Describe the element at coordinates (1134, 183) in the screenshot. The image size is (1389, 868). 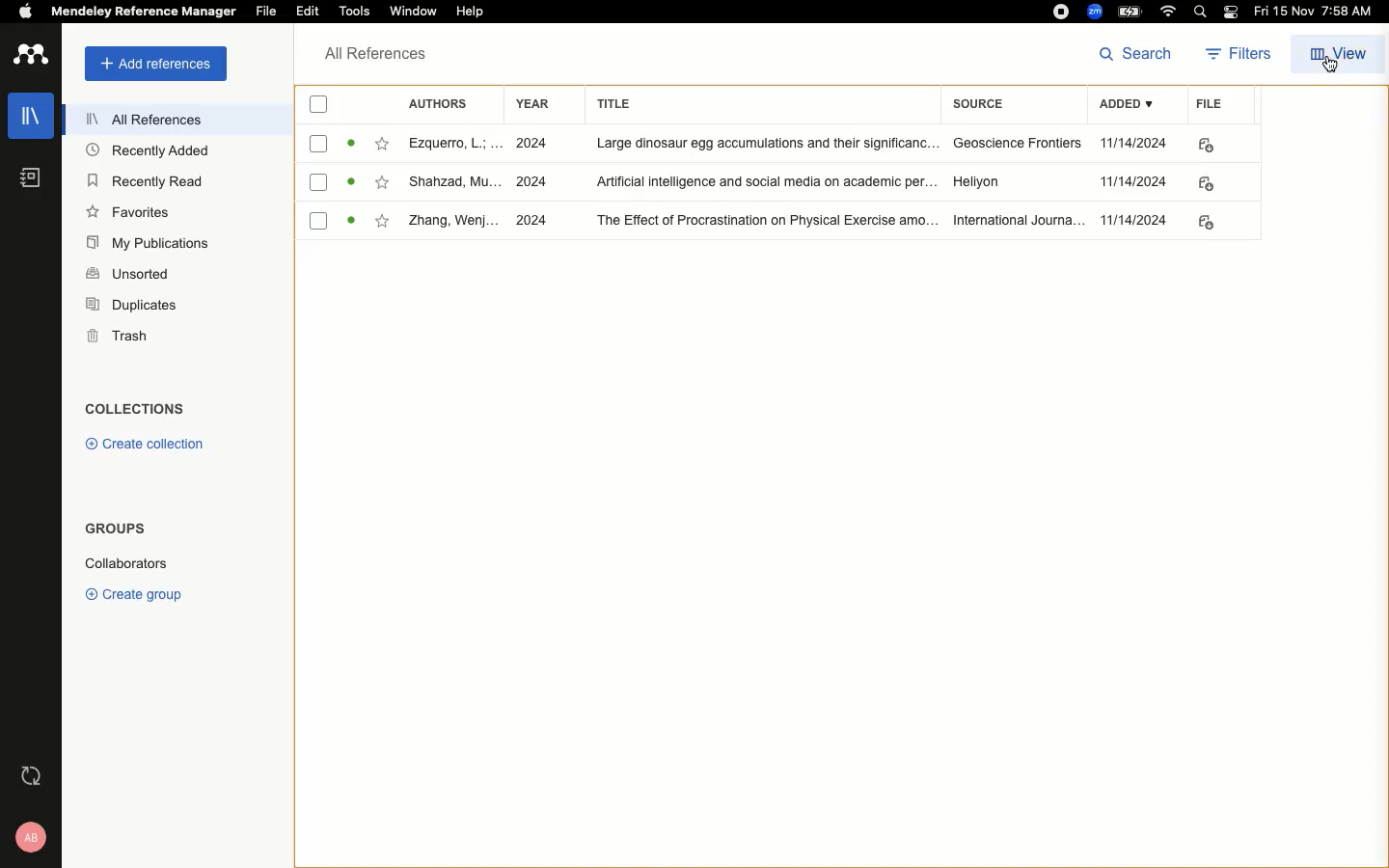
I see `11/14/2024` at that location.